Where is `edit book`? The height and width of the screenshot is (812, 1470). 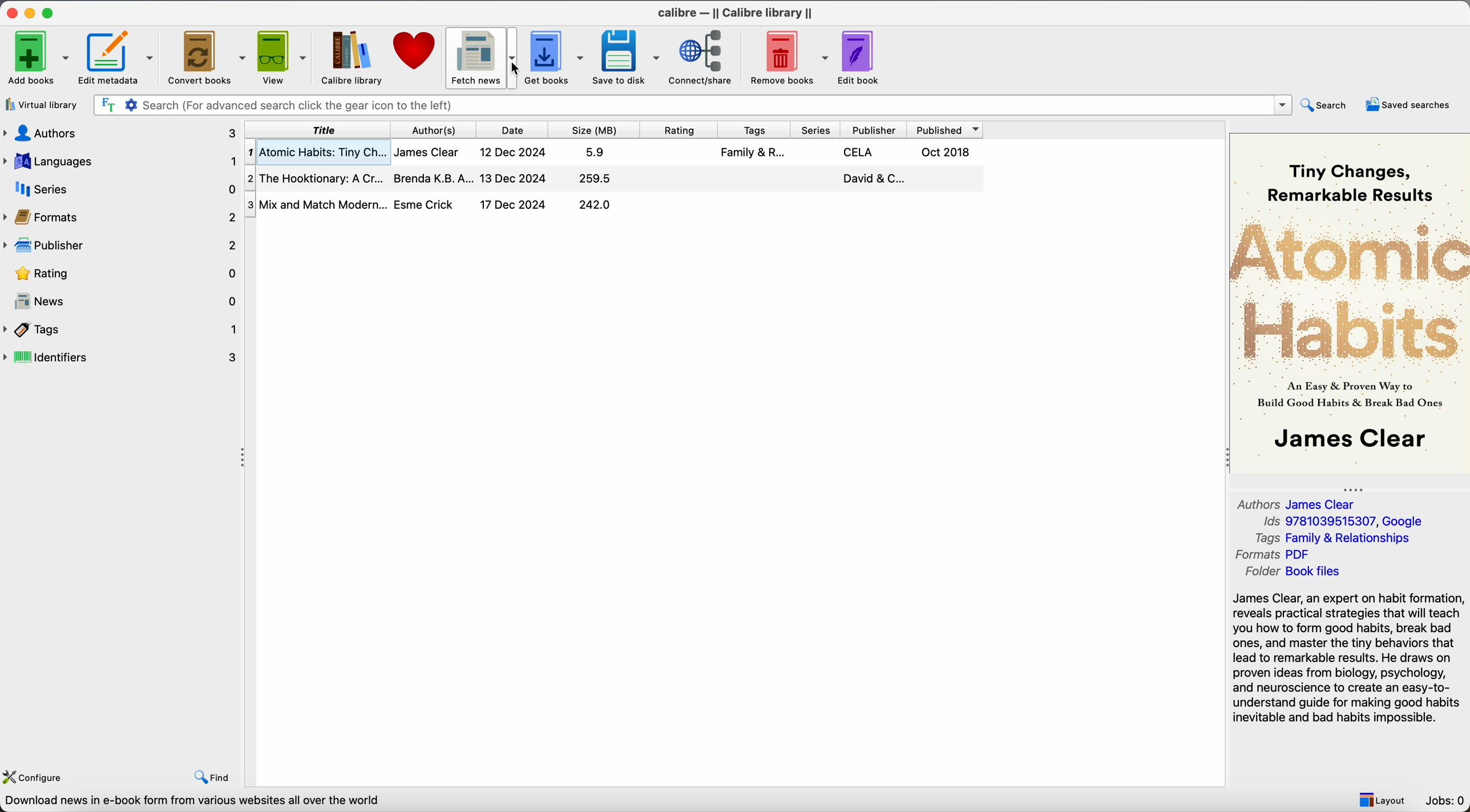
edit book is located at coordinates (860, 56).